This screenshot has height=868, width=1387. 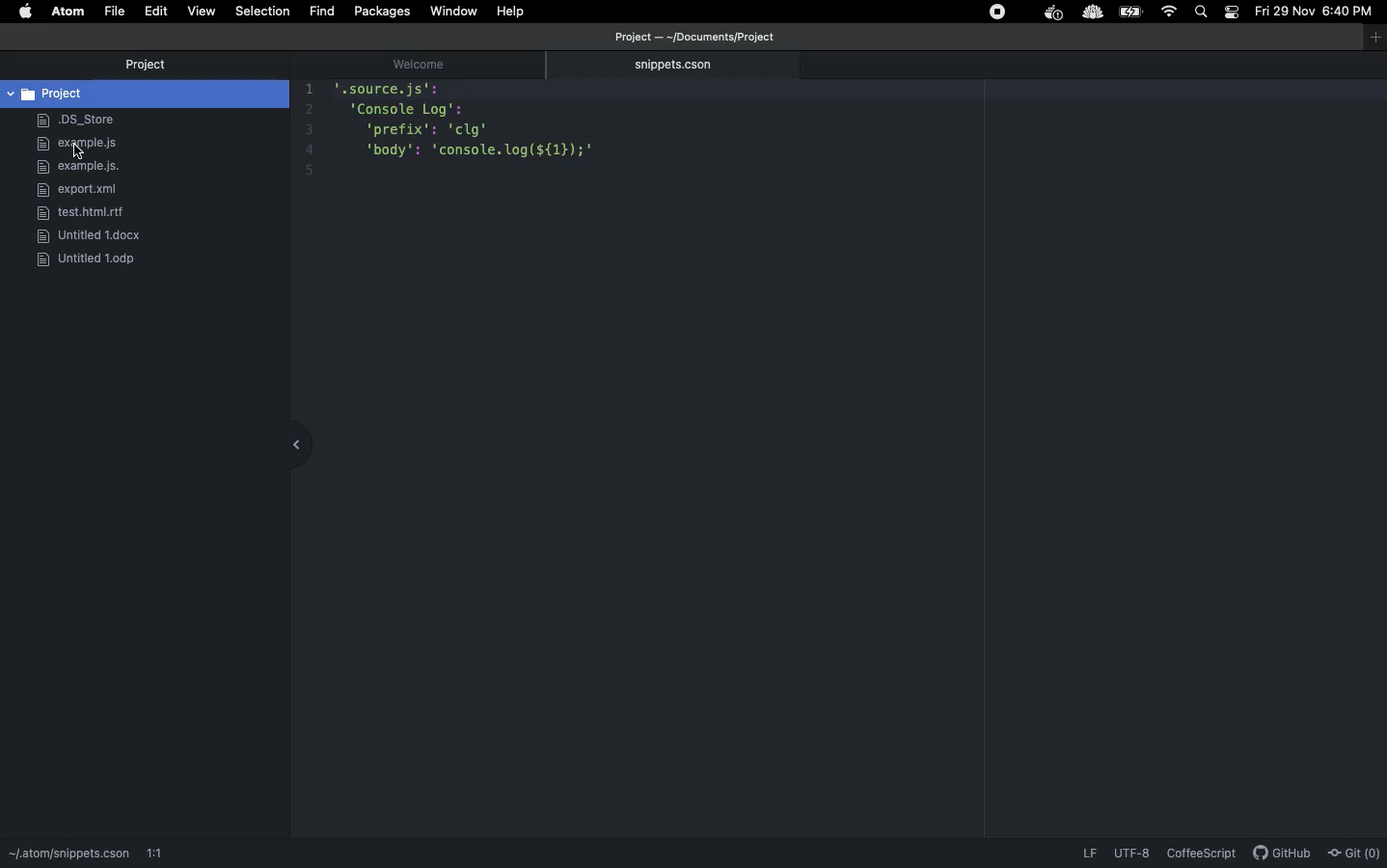 What do you see at coordinates (68, 12) in the screenshot?
I see `ATOM` at bounding box center [68, 12].